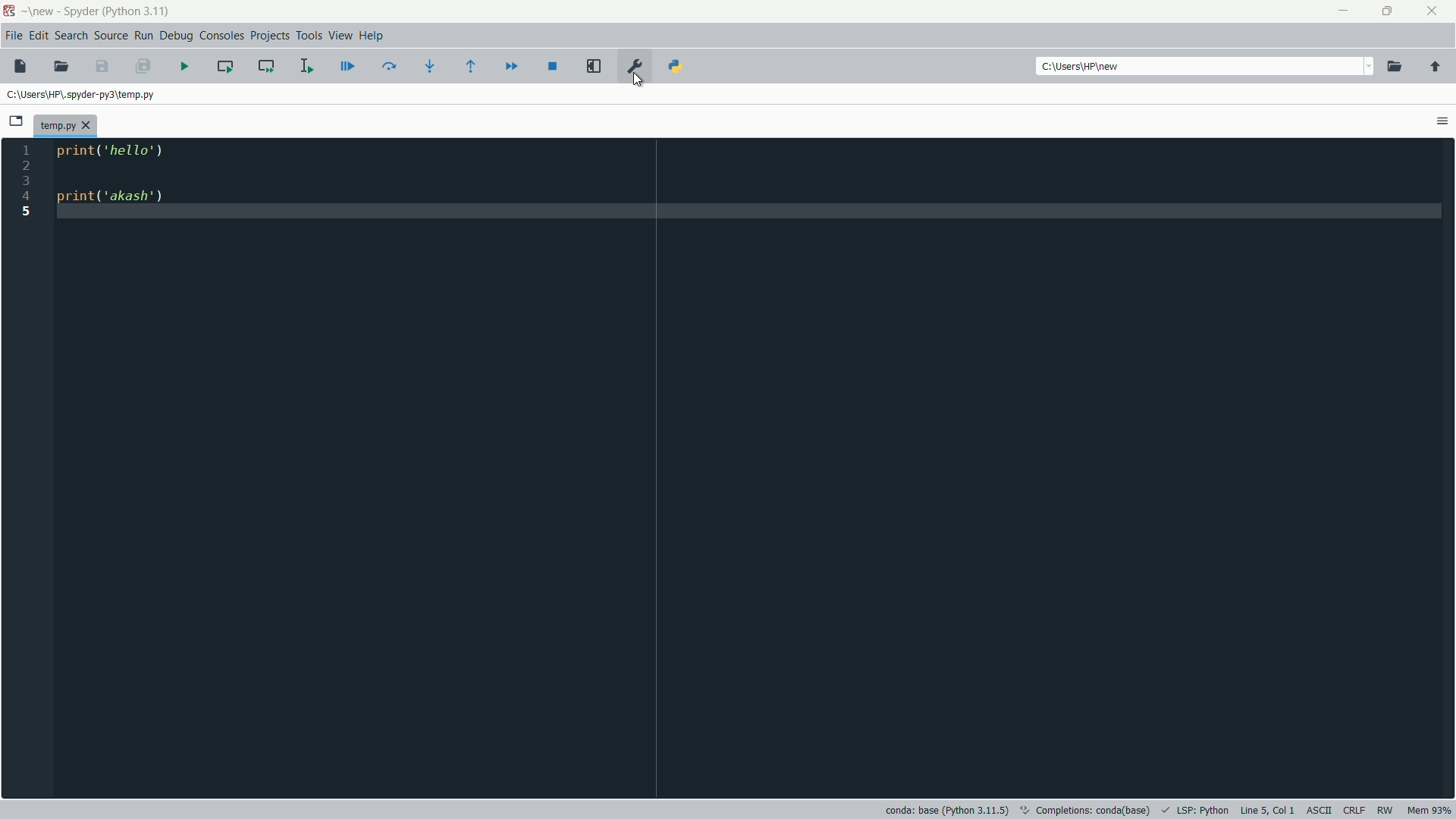  I want to click on open file, so click(61, 67).